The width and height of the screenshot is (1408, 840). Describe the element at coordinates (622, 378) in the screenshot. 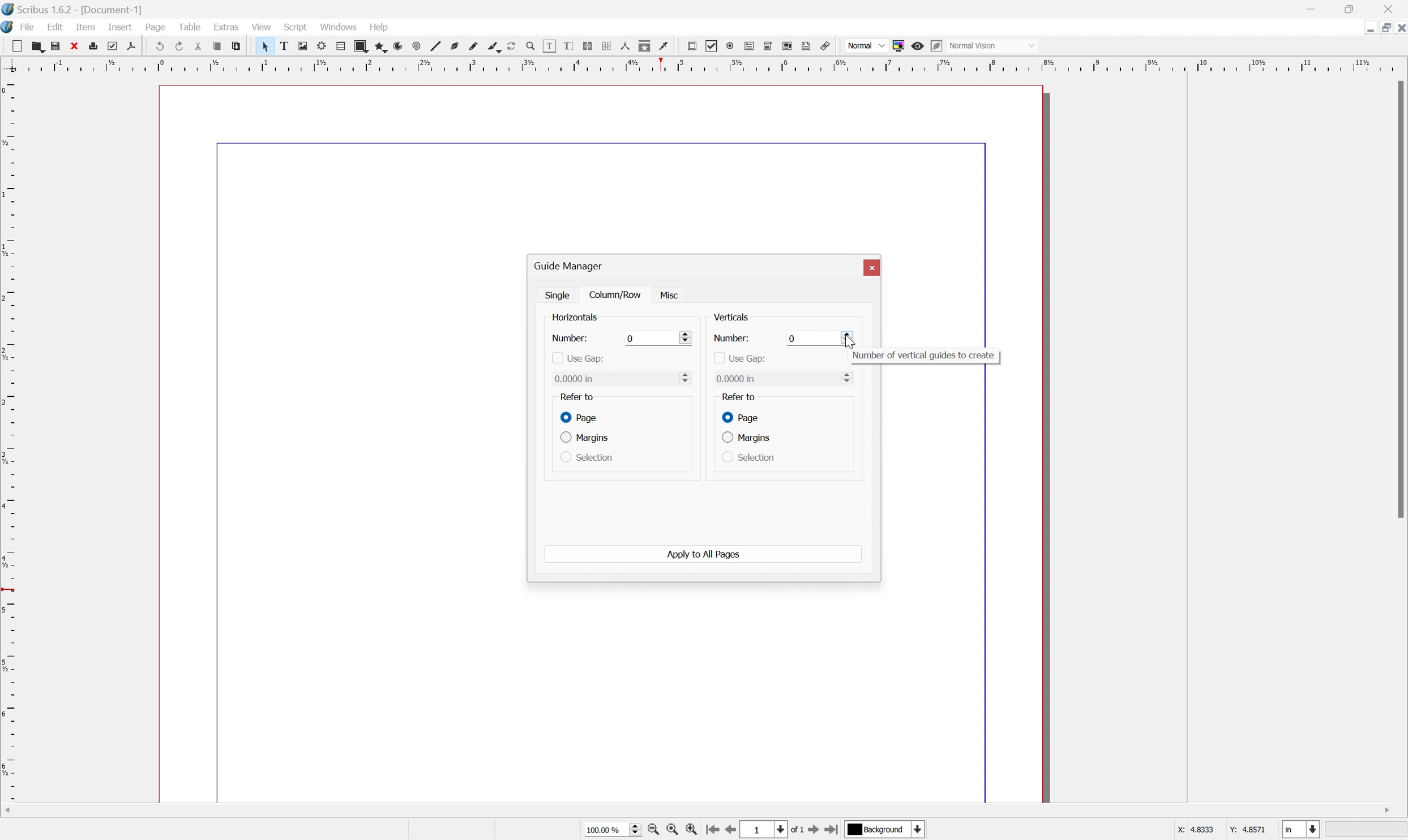

I see `0.0000 in` at that location.